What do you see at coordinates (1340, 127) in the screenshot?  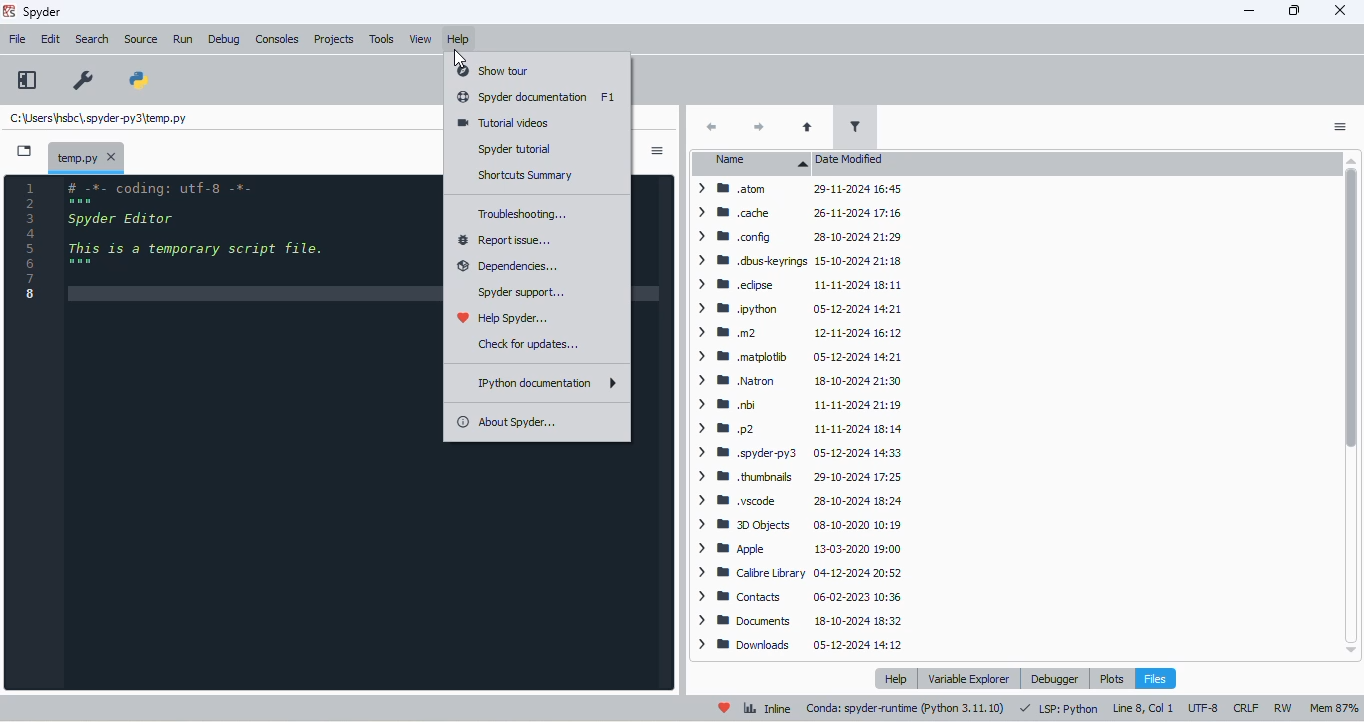 I see `options` at bounding box center [1340, 127].